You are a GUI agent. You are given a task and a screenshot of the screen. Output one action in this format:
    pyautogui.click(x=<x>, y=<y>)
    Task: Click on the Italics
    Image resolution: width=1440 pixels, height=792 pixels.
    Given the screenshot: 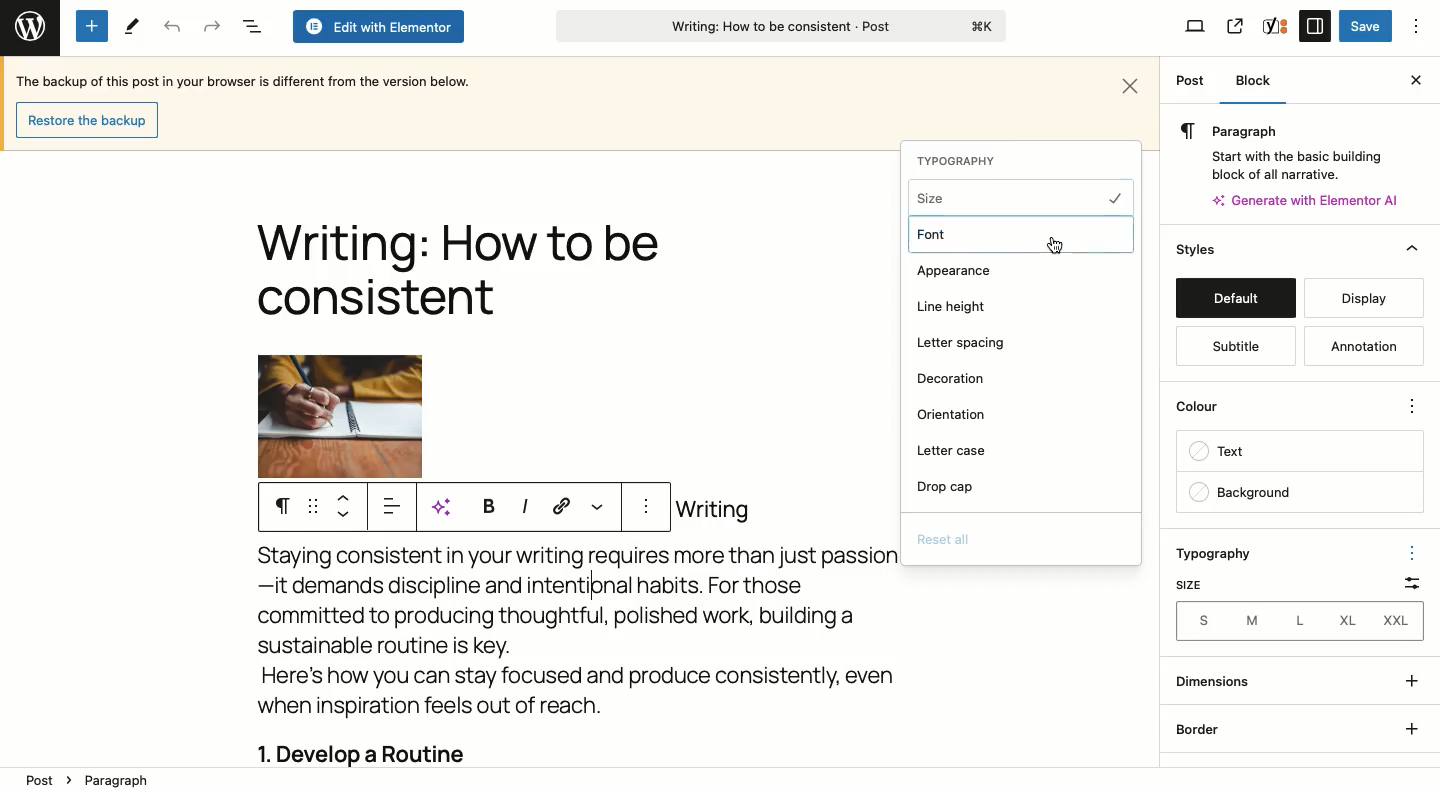 What is the action you would take?
    pyautogui.click(x=524, y=505)
    